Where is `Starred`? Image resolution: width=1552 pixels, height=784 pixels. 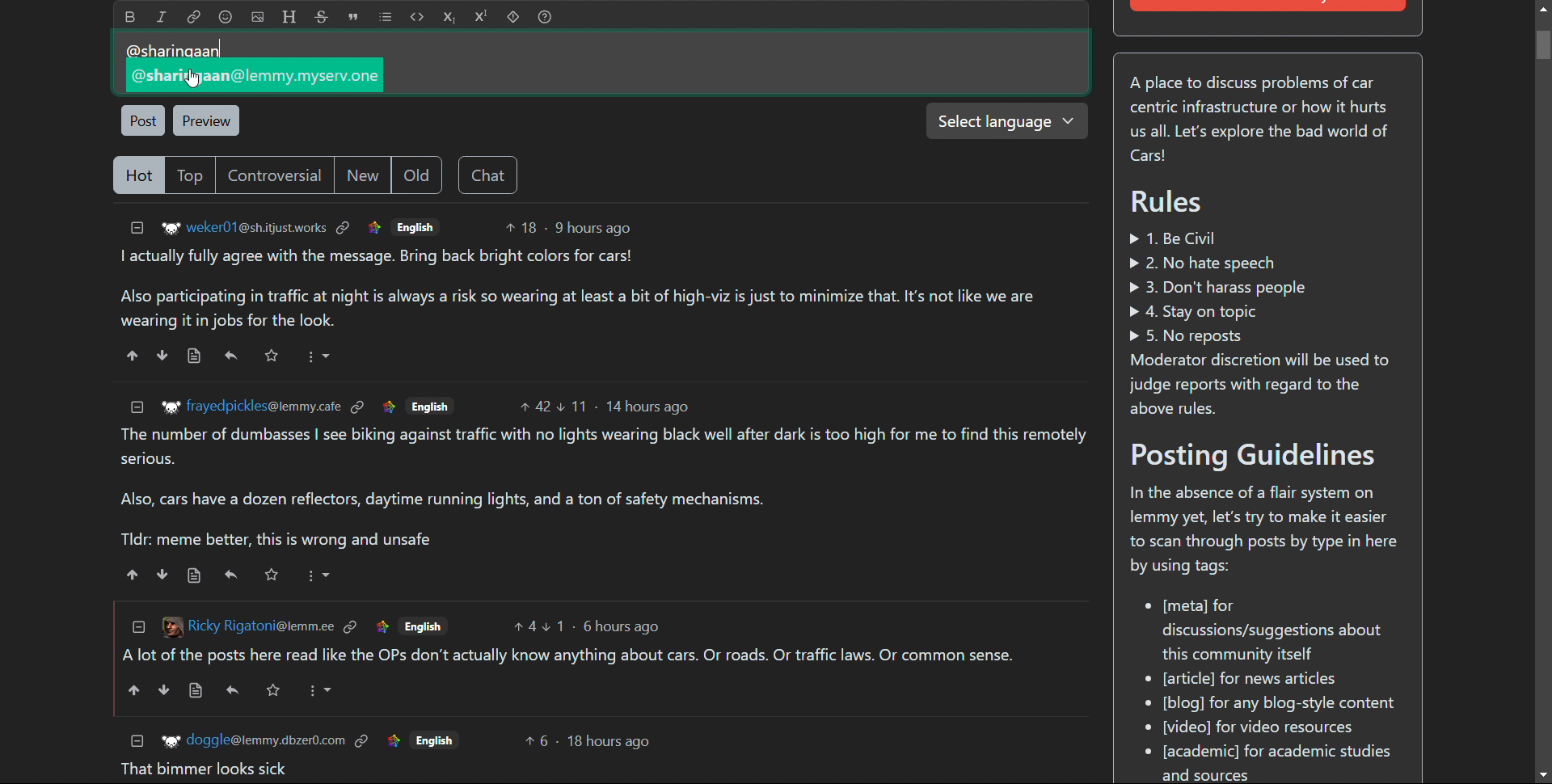
Starred is located at coordinates (273, 356).